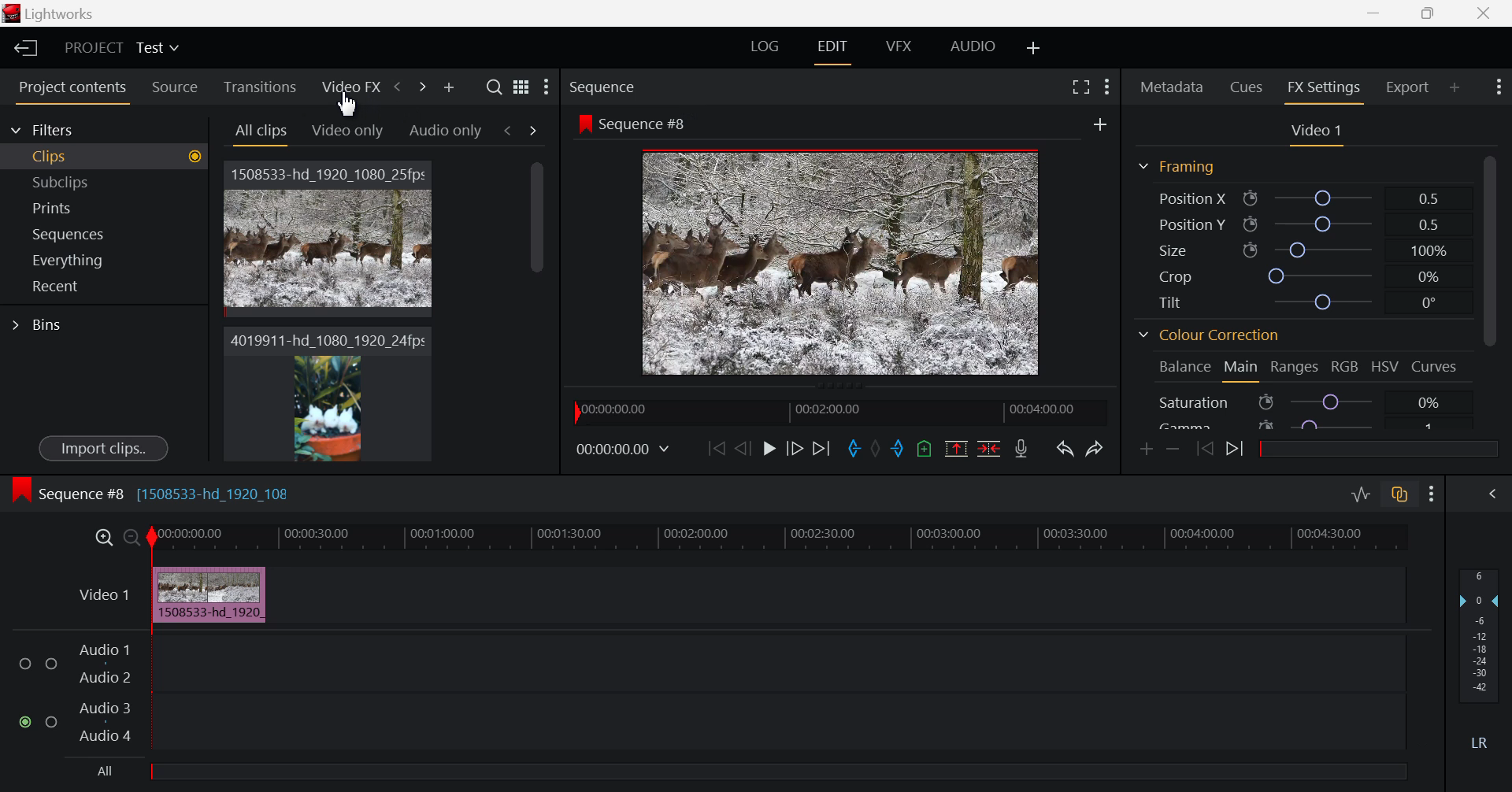  Describe the element at coordinates (1499, 87) in the screenshot. I see `Show Settings` at that location.